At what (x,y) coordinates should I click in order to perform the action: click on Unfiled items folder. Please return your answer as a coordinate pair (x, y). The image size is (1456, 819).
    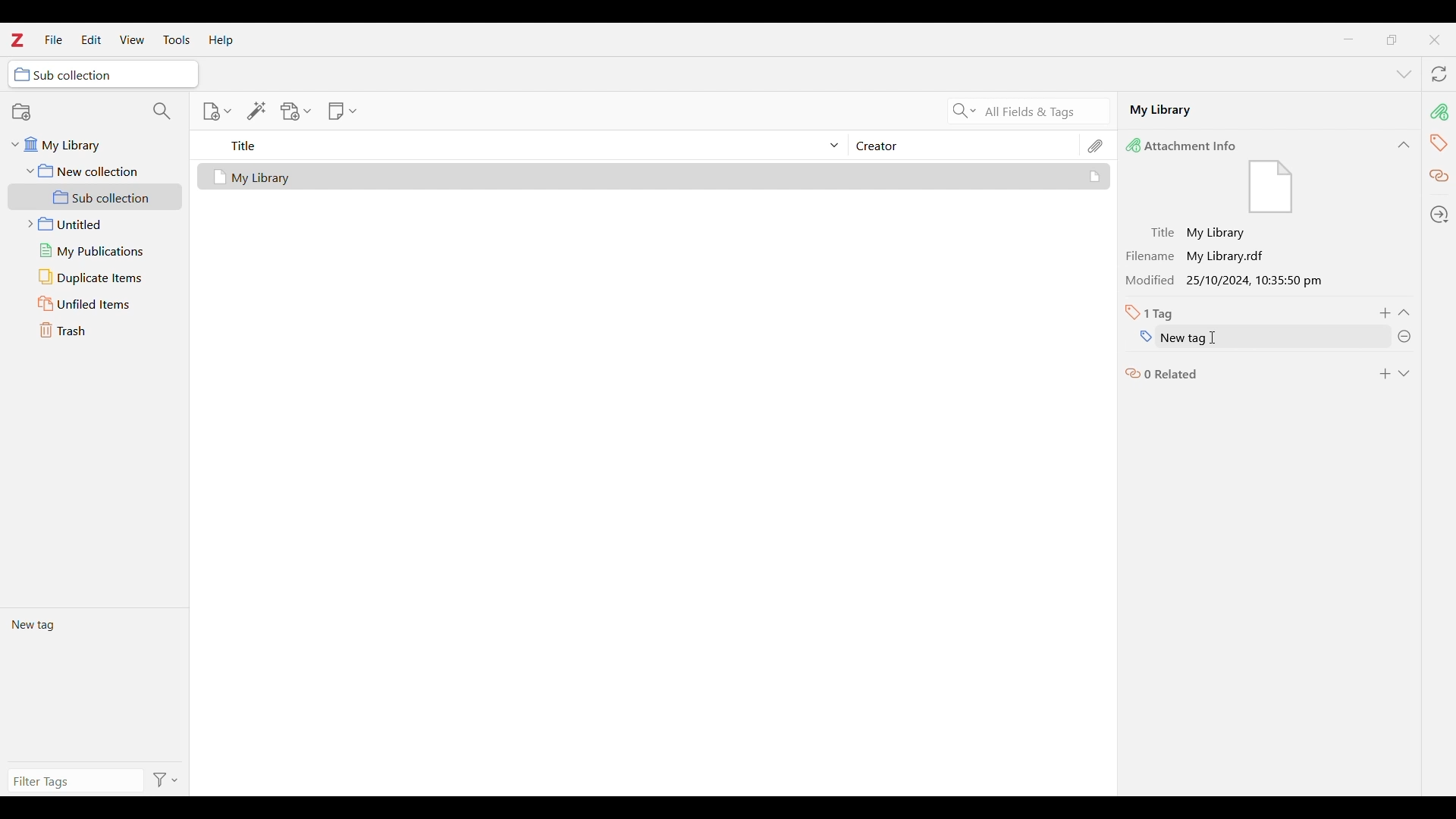
    Looking at the image, I should click on (95, 303).